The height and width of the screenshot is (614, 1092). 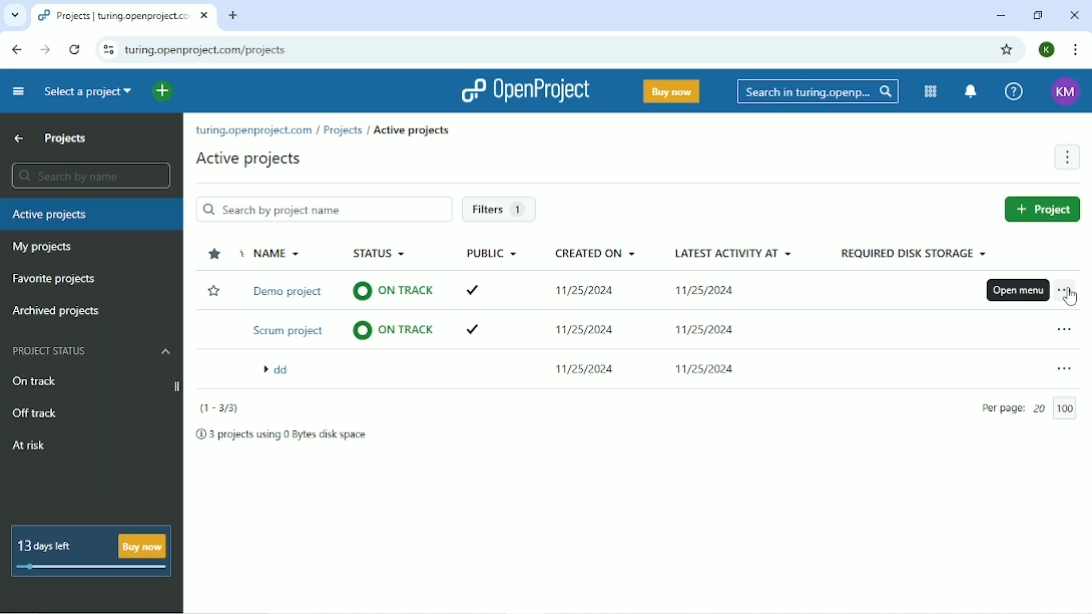 I want to click on Add to Favorite, so click(x=214, y=291).